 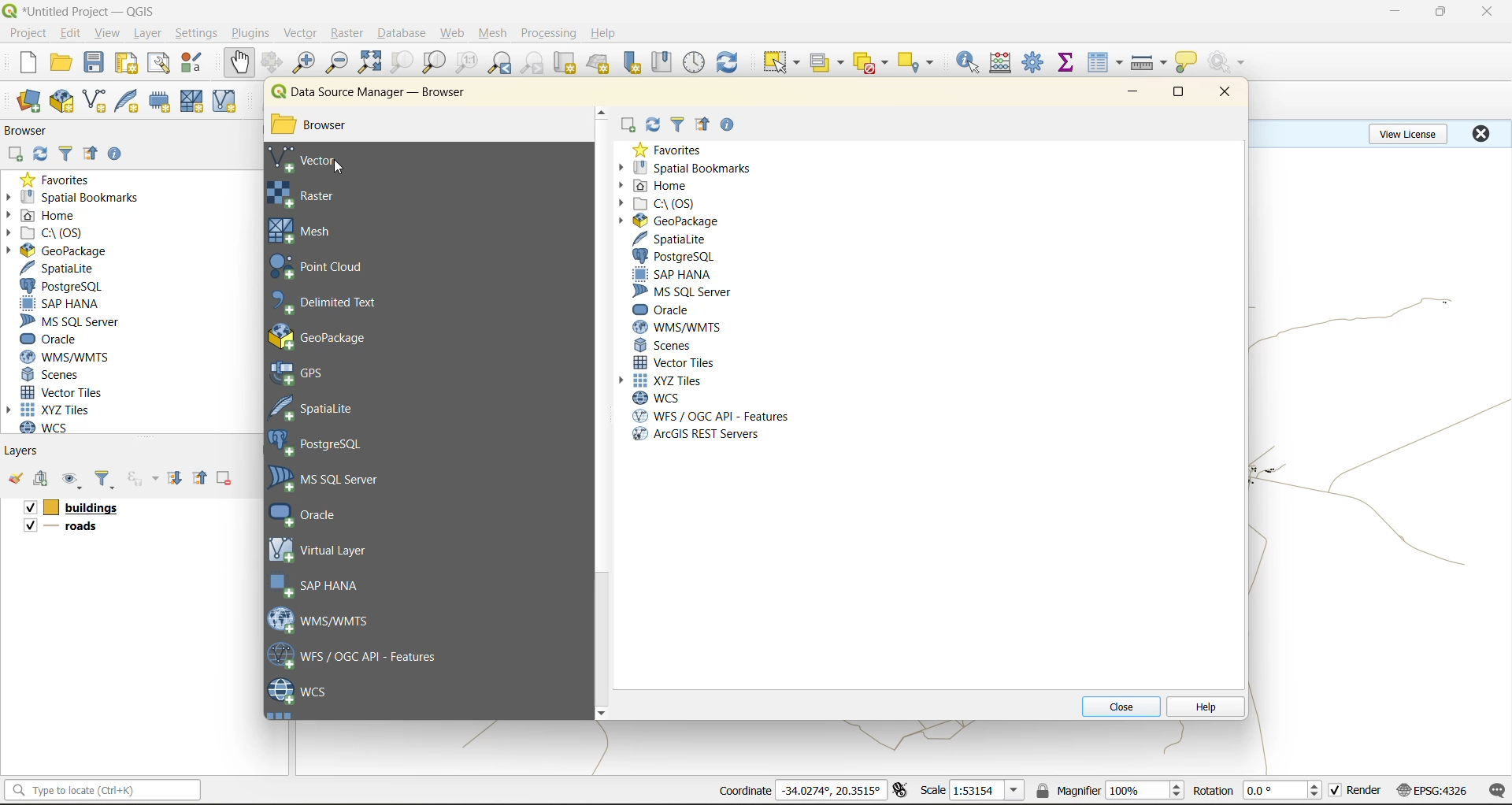 I want to click on zoom next, so click(x=535, y=63).